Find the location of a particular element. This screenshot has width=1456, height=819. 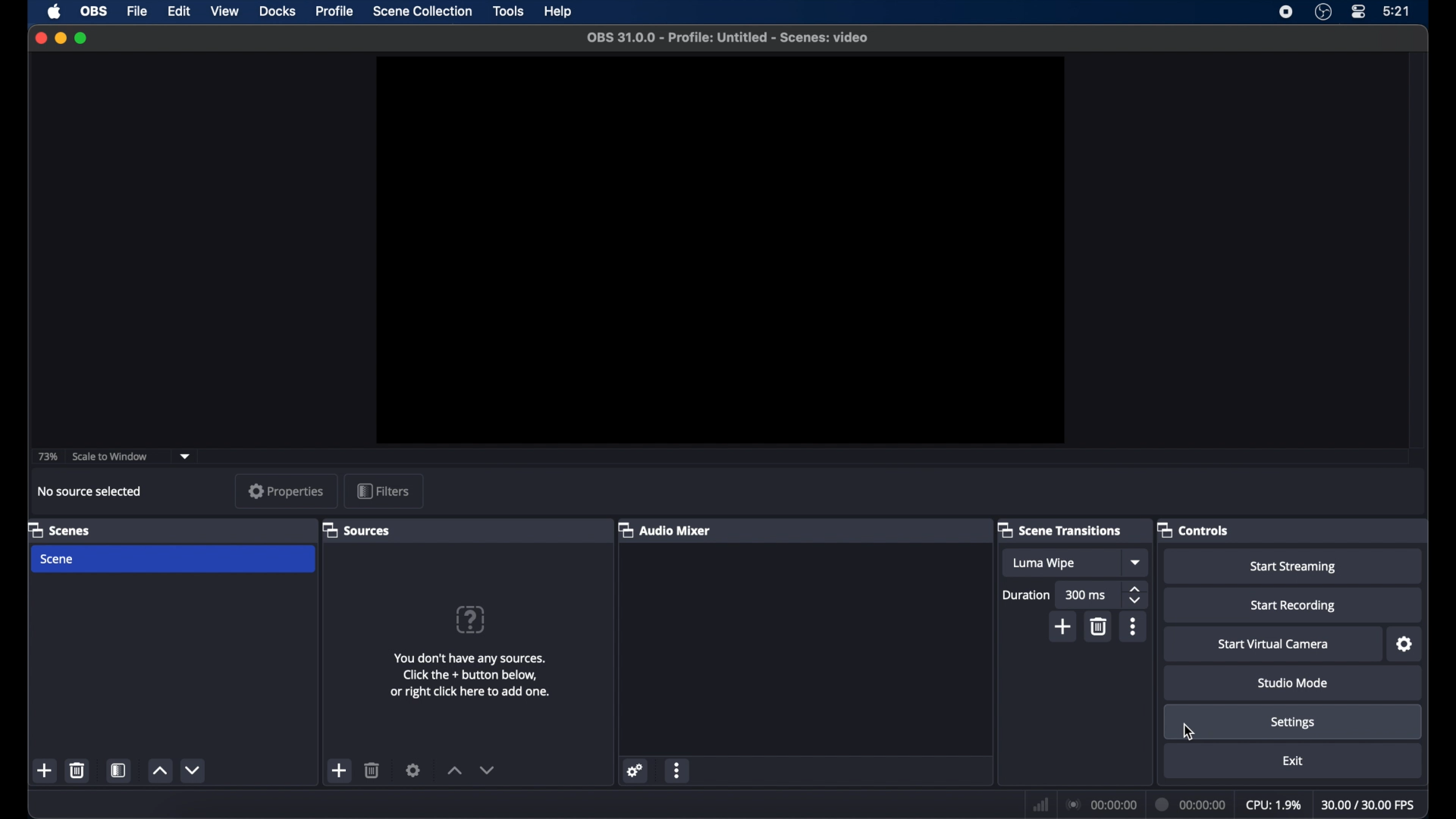

start virtual camera is located at coordinates (1273, 645).